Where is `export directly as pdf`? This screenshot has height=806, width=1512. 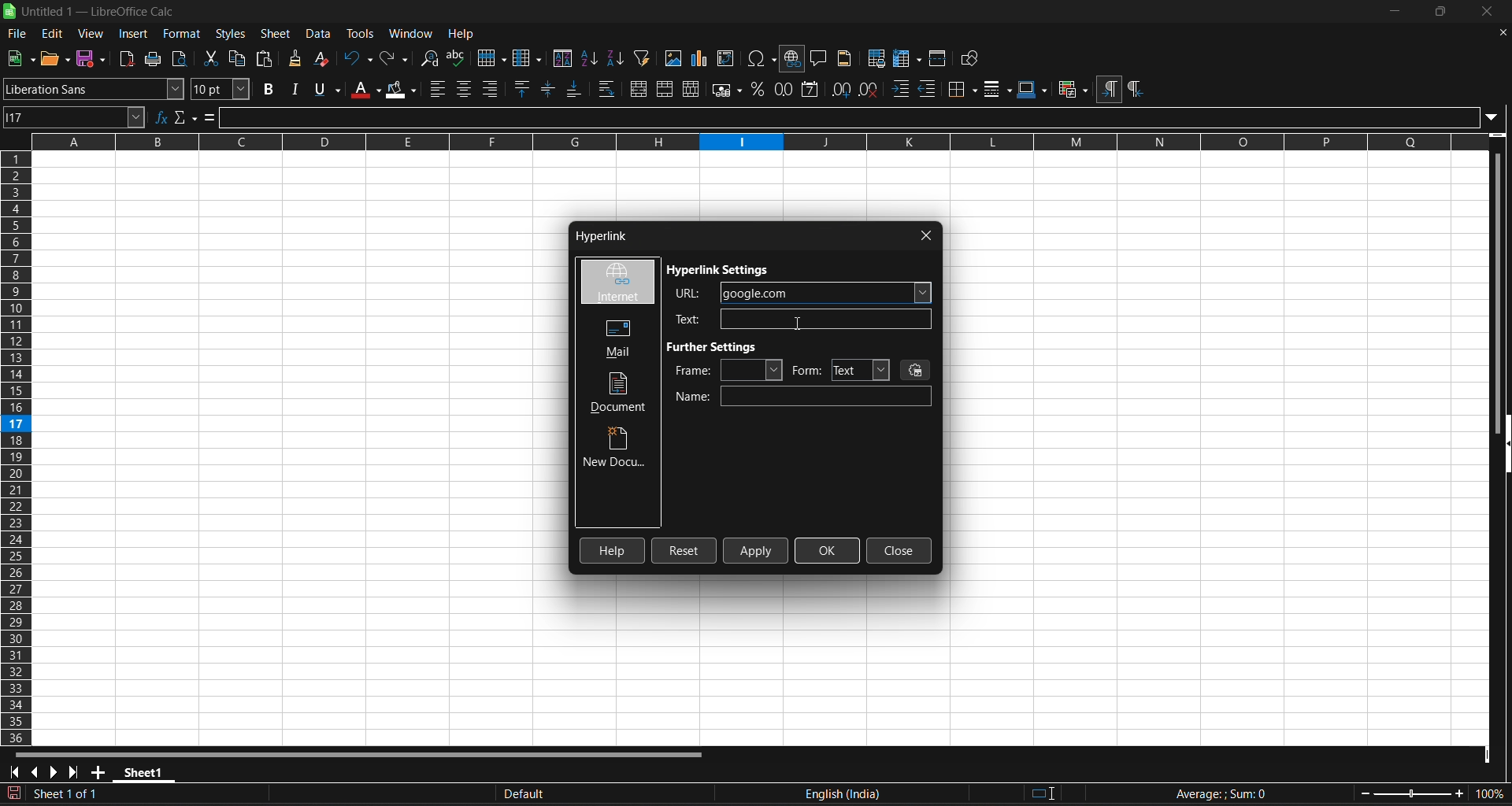
export directly as pdf is located at coordinates (128, 58).